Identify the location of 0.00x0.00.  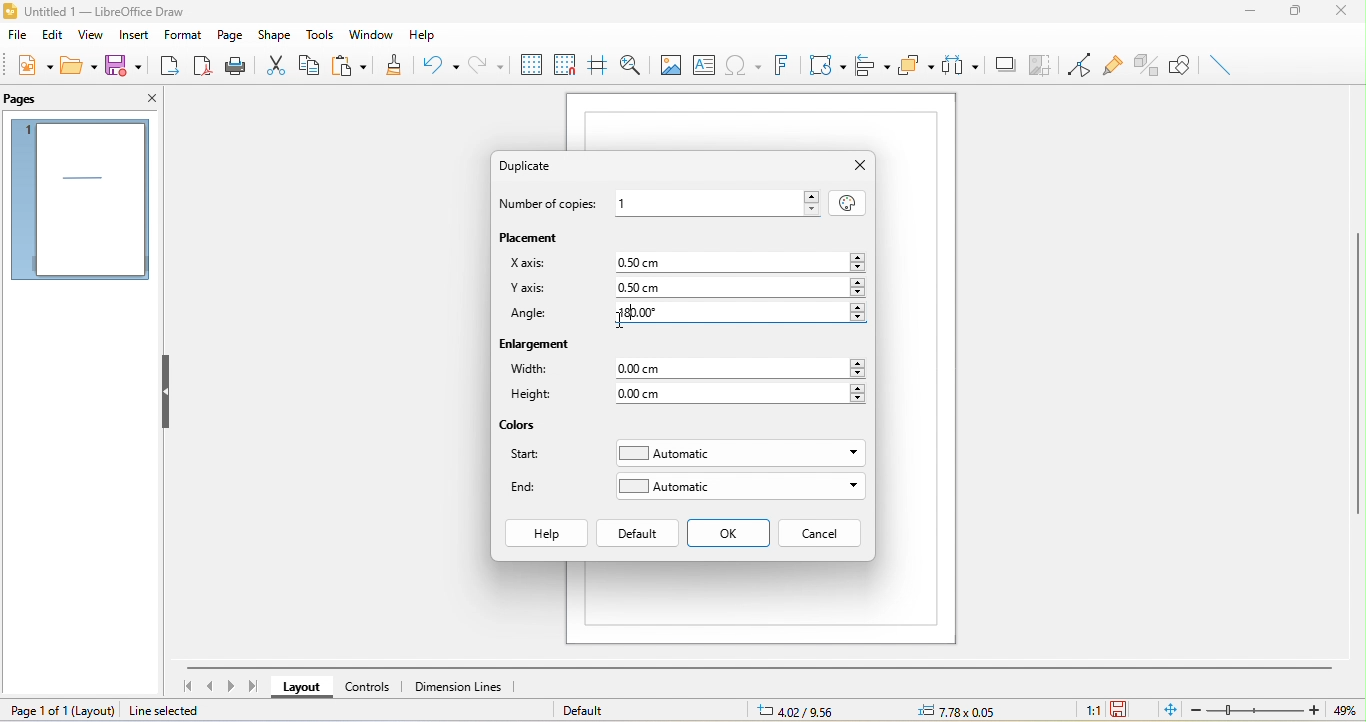
(954, 711).